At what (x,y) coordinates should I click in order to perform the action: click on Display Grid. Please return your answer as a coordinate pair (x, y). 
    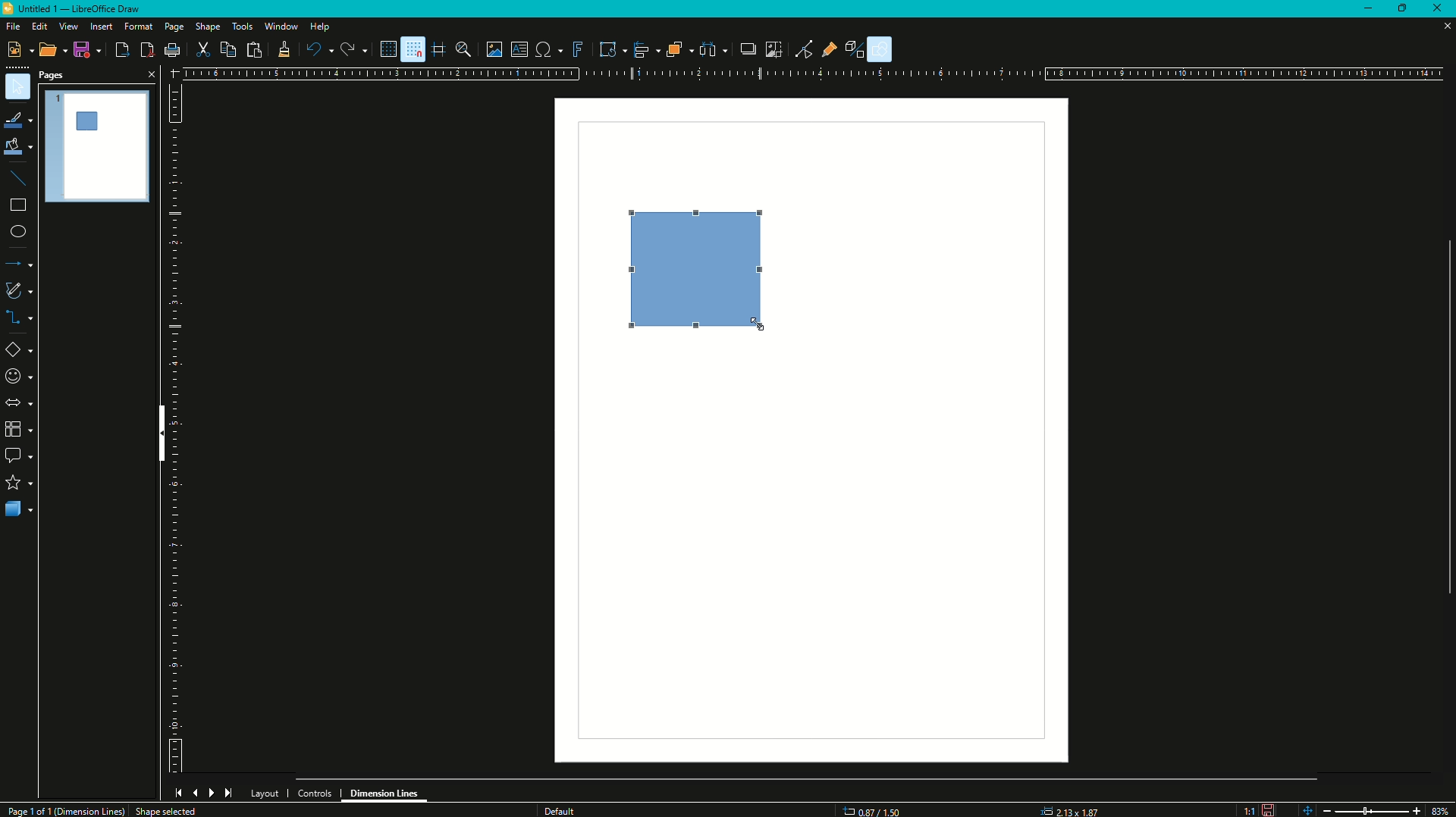
    Looking at the image, I should click on (383, 49).